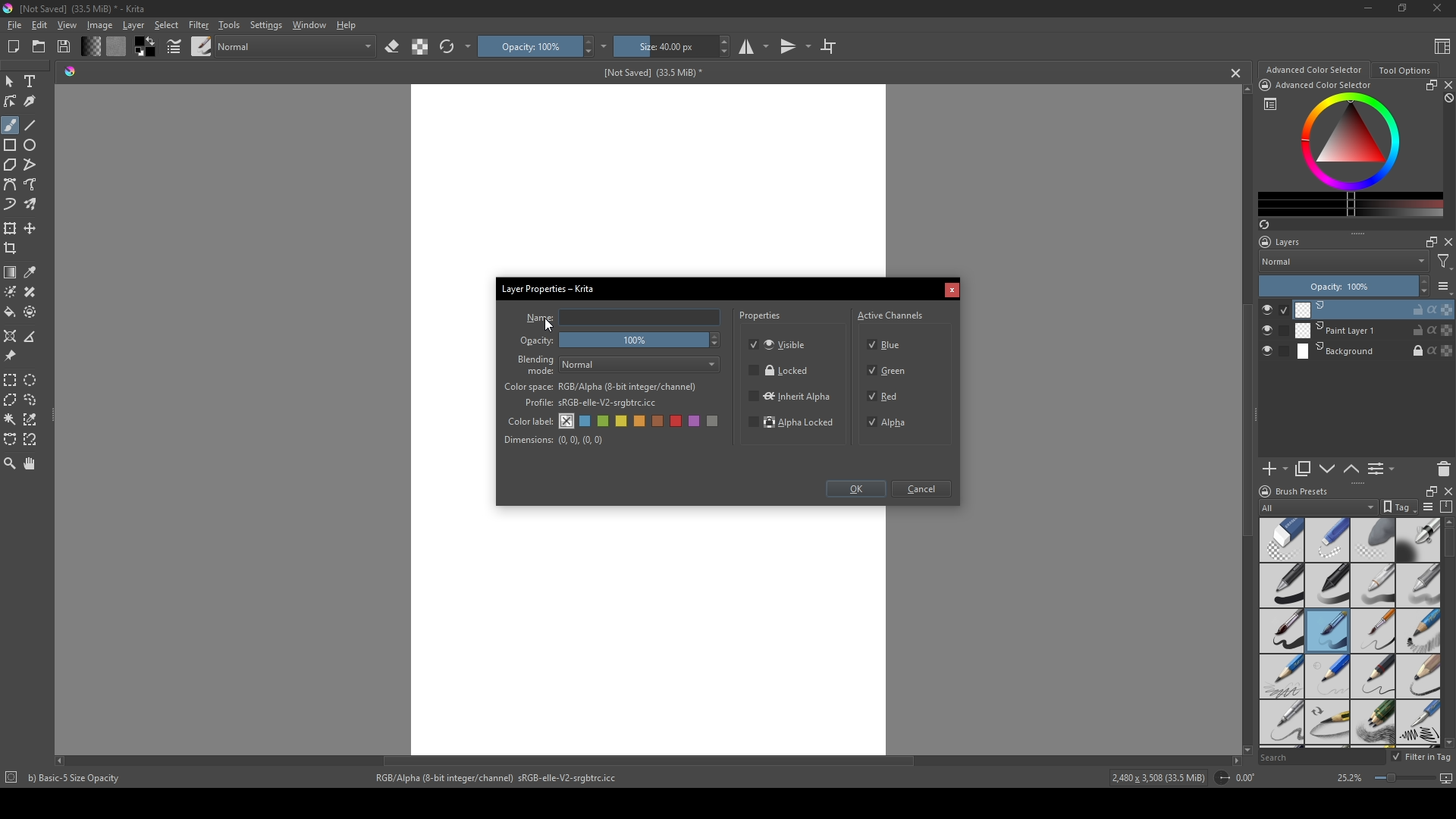 This screenshot has width=1456, height=819. Describe the element at coordinates (1447, 522) in the screenshot. I see `scroll up` at that location.